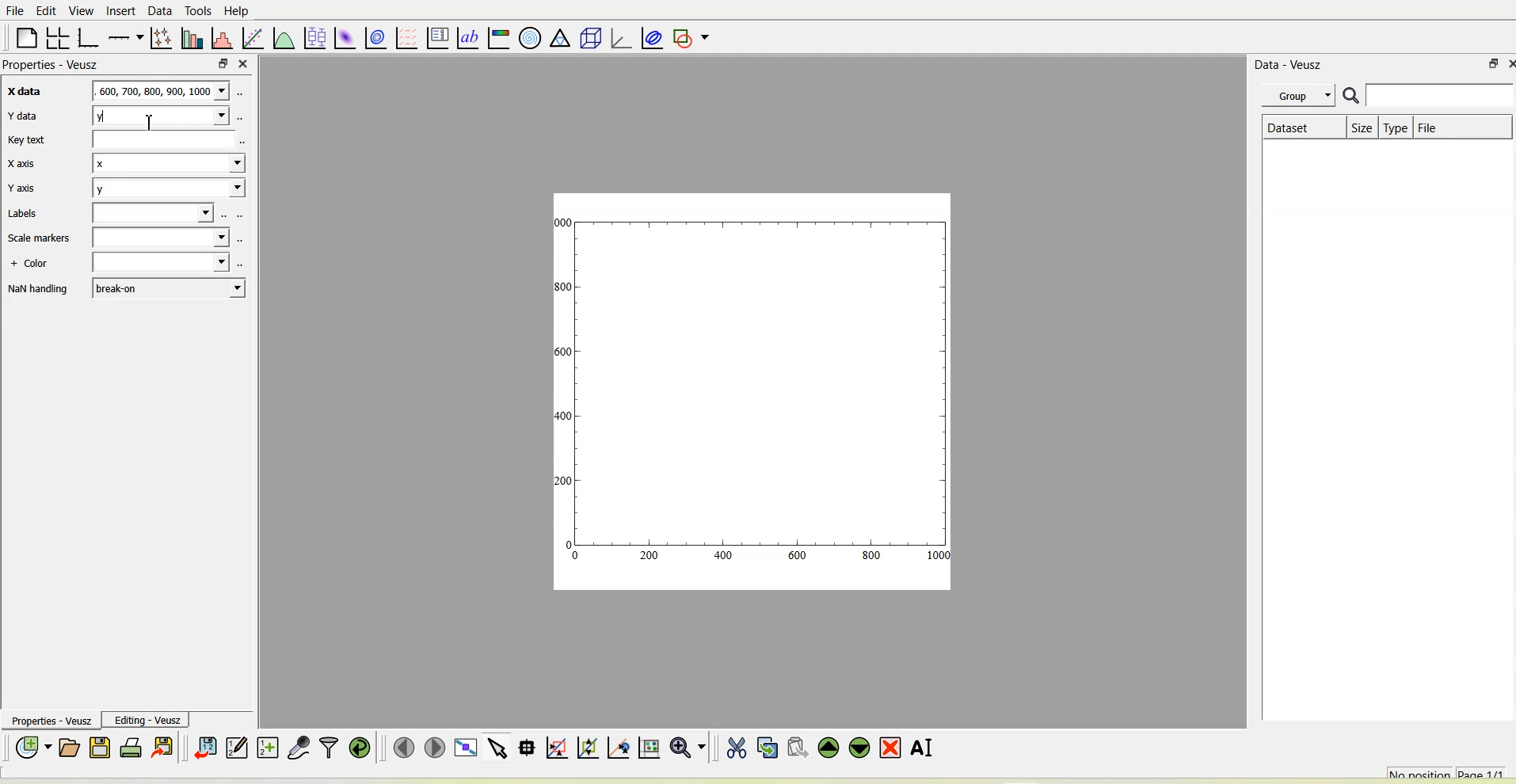  Describe the element at coordinates (58, 38) in the screenshot. I see `Arrange graphs in a grid` at that location.